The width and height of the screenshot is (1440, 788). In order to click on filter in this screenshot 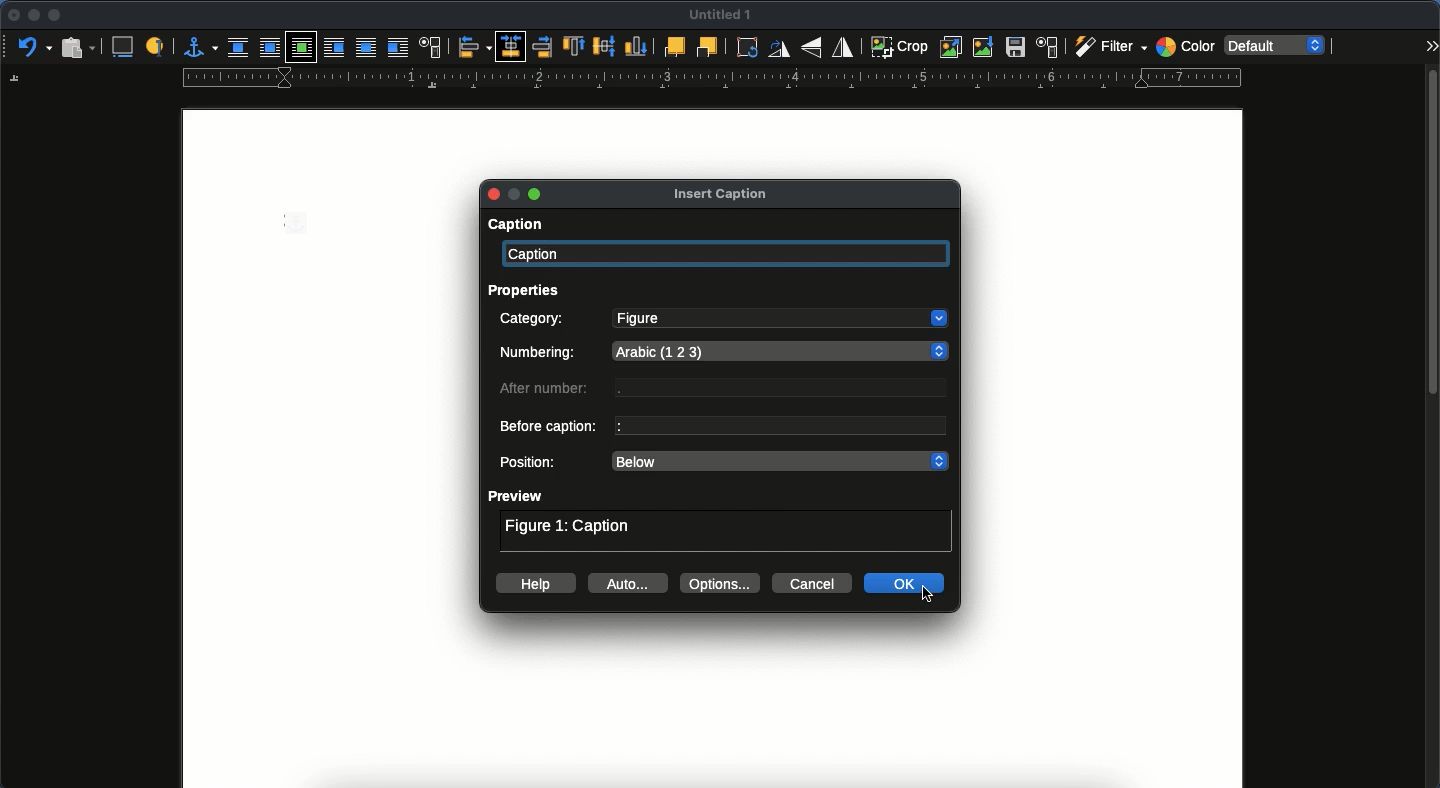, I will do `click(1108, 47)`.